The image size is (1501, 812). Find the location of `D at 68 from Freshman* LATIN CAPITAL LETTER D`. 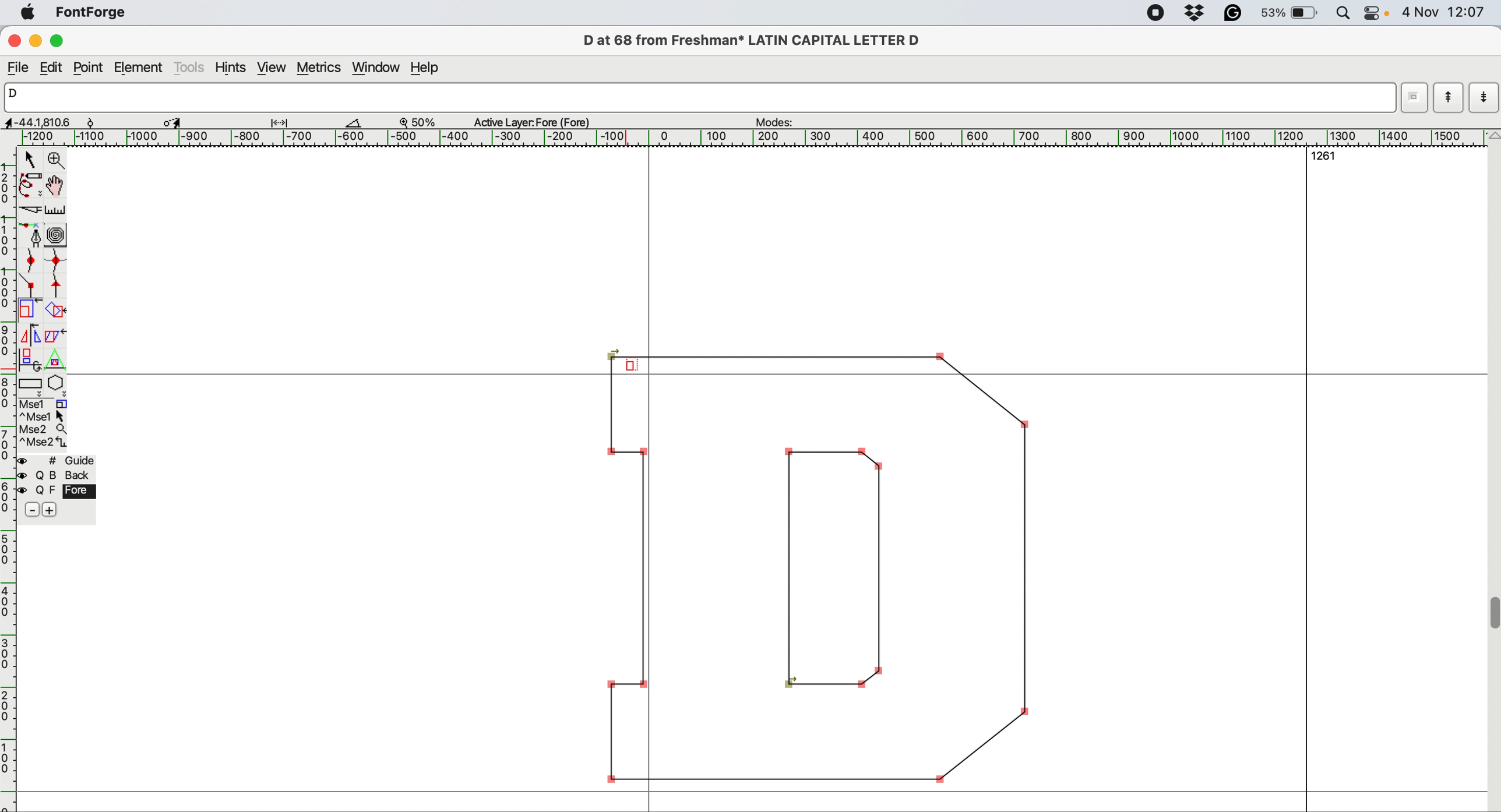

D at 68 from Freshman* LATIN CAPITAL LETTER D is located at coordinates (756, 40).